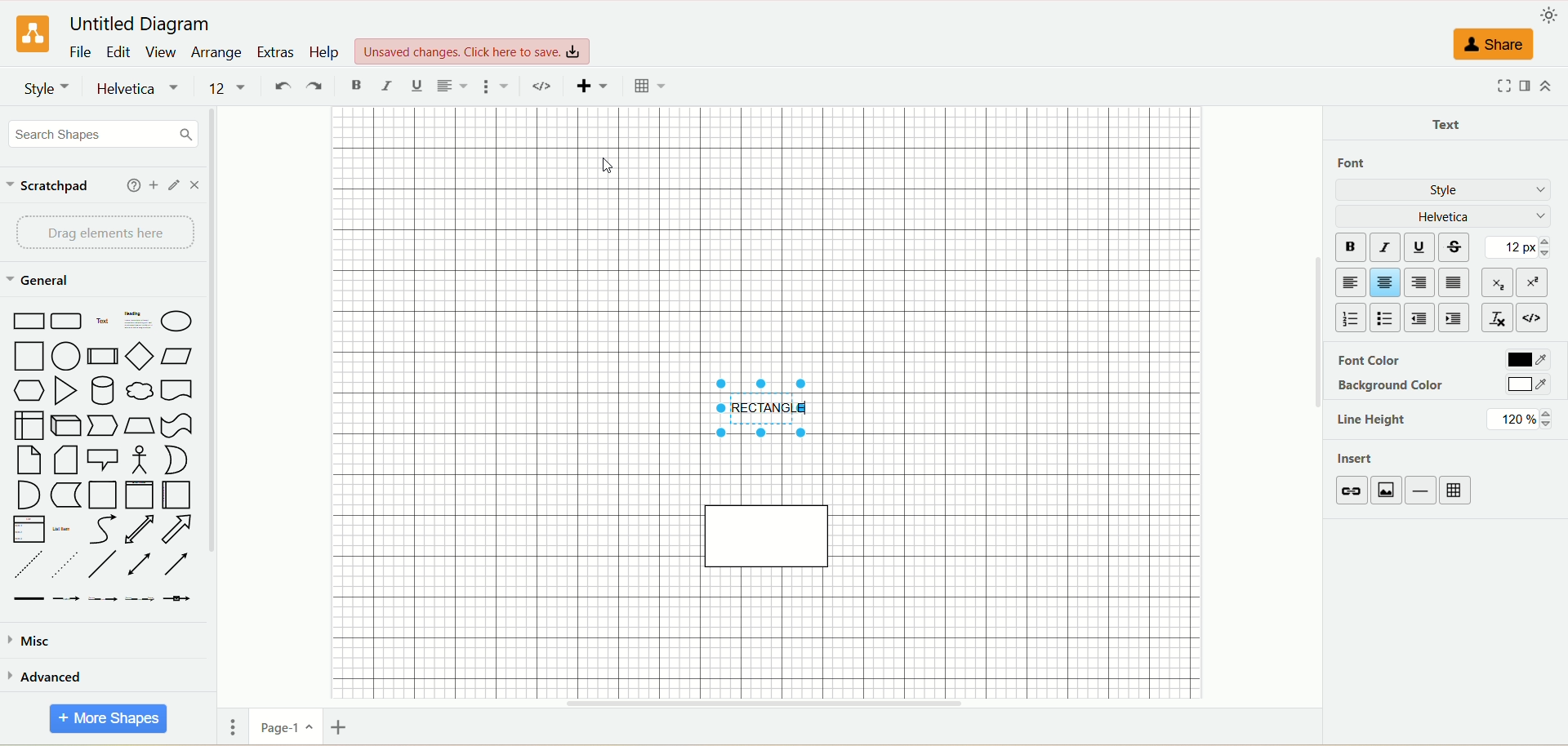 This screenshot has width=1568, height=746. I want to click on bidirectional arrow, so click(140, 529).